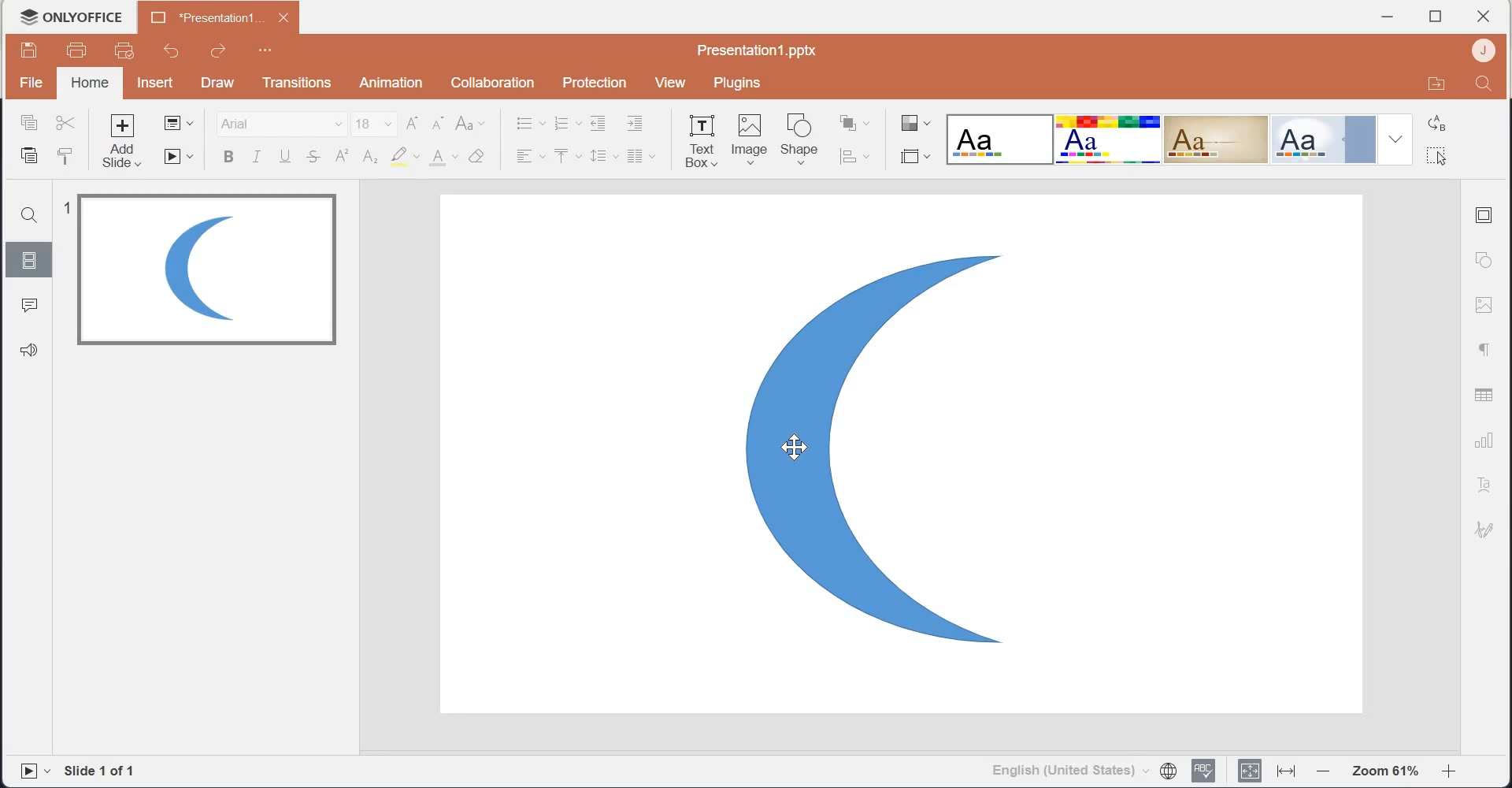 Image resolution: width=1512 pixels, height=788 pixels. Describe the element at coordinates (569, 154) in the screenshot. I see `Vertical Align` at that location.